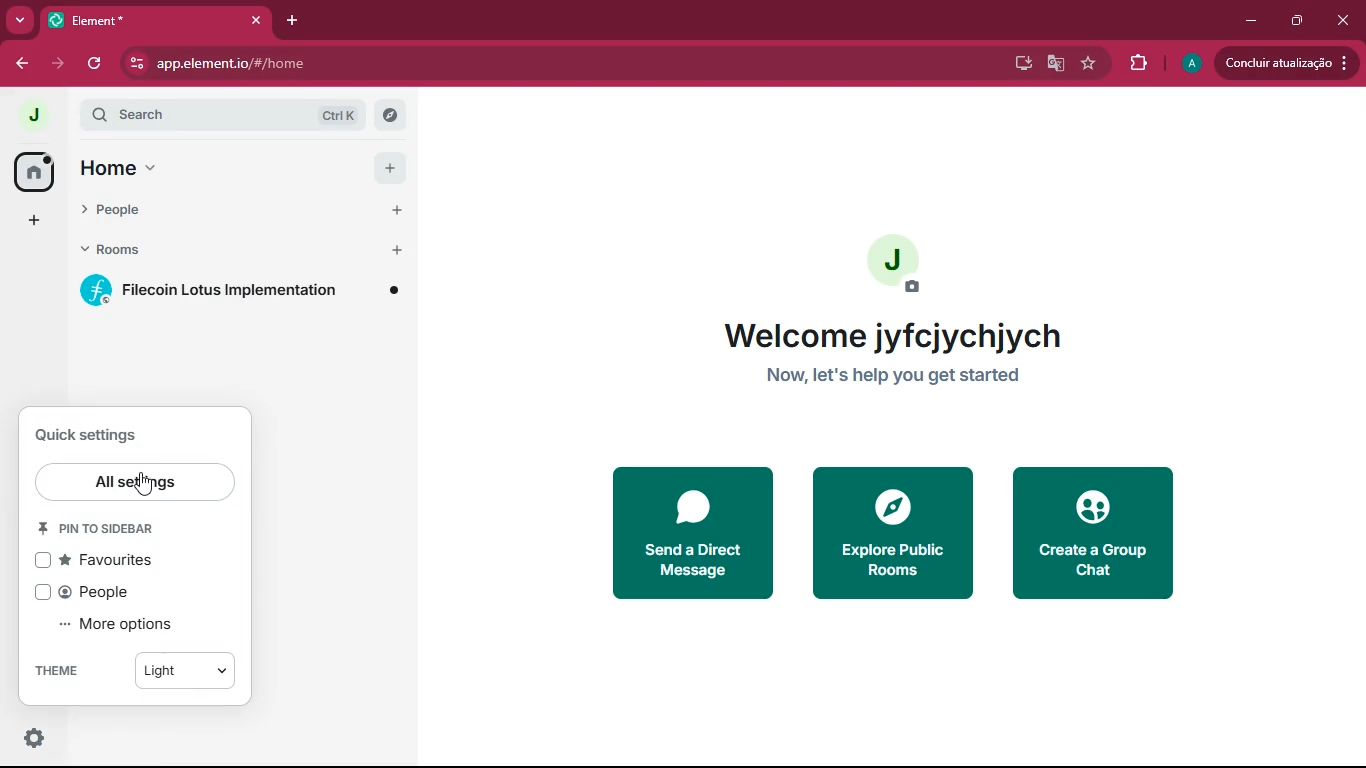 This screenshot has width=1366, height=768. What do you see at coordinates (256, 21) in the screenshot?
I see `close tab` at bounding box center [256, 21].